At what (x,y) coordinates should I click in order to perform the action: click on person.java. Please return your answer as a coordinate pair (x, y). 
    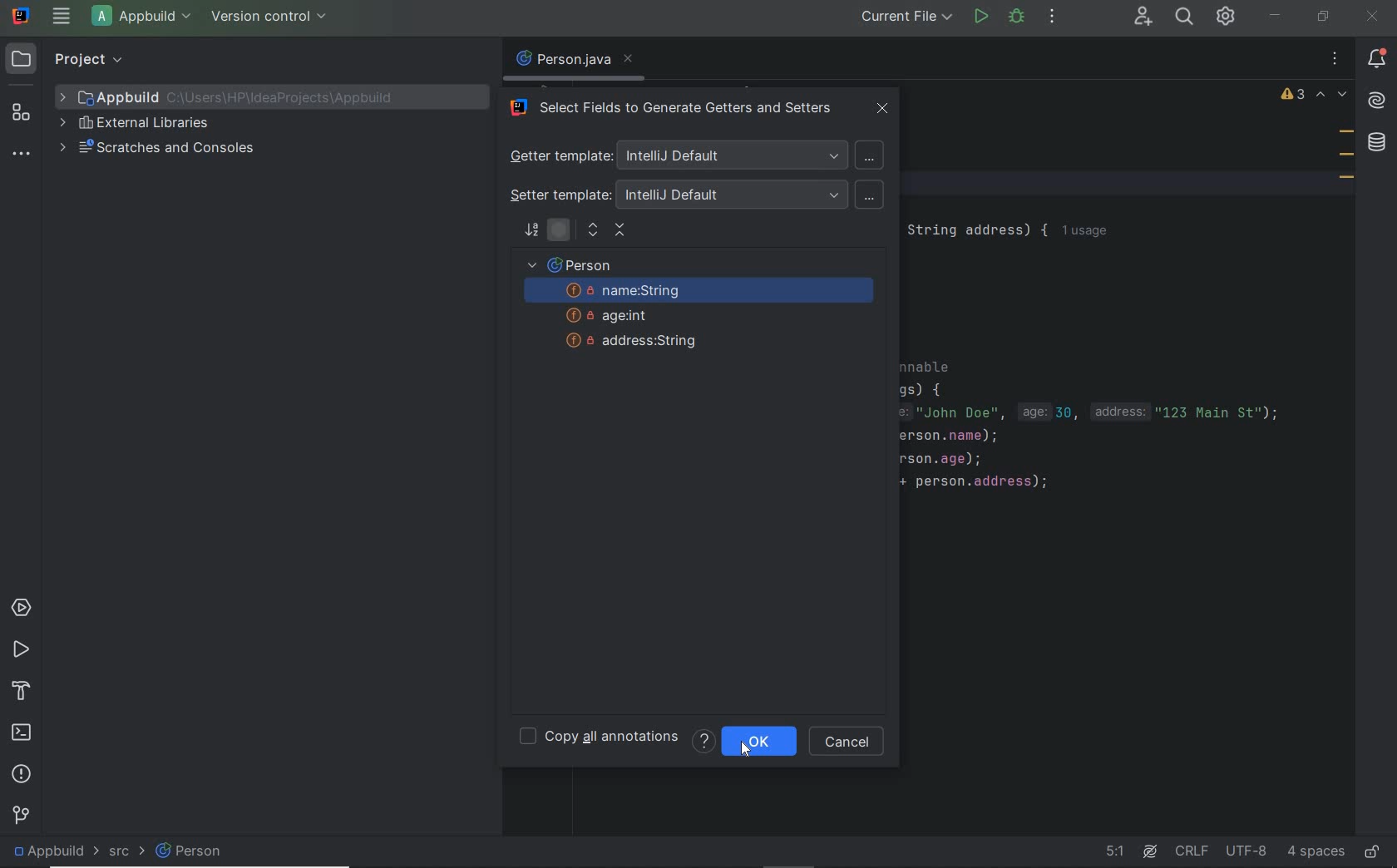
    Looking at the image, I should click on (573, 60).